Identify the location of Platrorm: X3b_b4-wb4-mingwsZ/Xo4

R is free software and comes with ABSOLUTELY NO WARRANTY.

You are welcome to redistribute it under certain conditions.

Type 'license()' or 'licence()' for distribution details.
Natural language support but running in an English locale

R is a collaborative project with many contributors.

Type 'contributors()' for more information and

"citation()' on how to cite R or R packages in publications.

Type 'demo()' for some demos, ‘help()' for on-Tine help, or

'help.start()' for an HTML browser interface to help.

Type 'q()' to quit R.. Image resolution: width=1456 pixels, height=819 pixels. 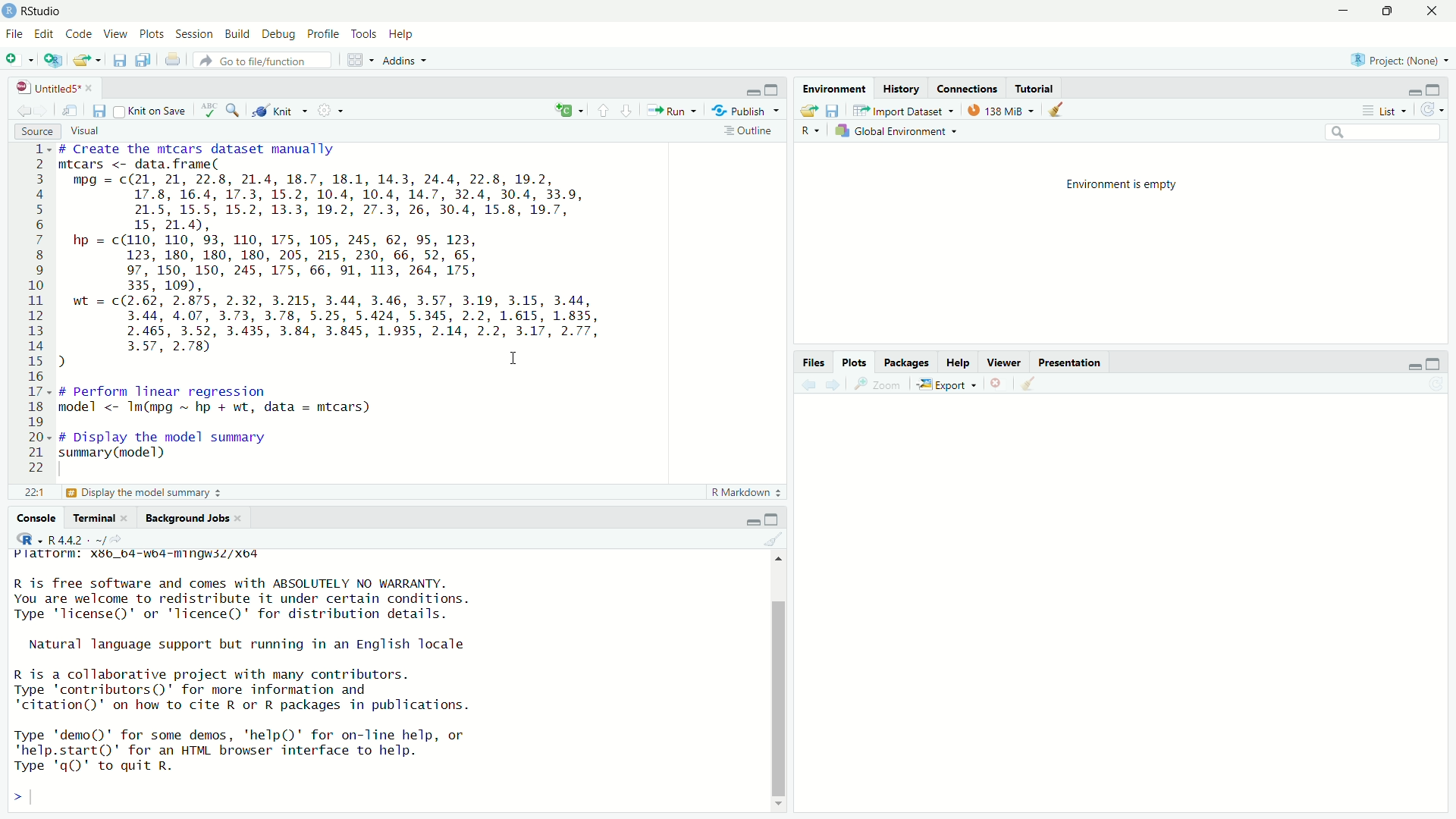
(243, 662).